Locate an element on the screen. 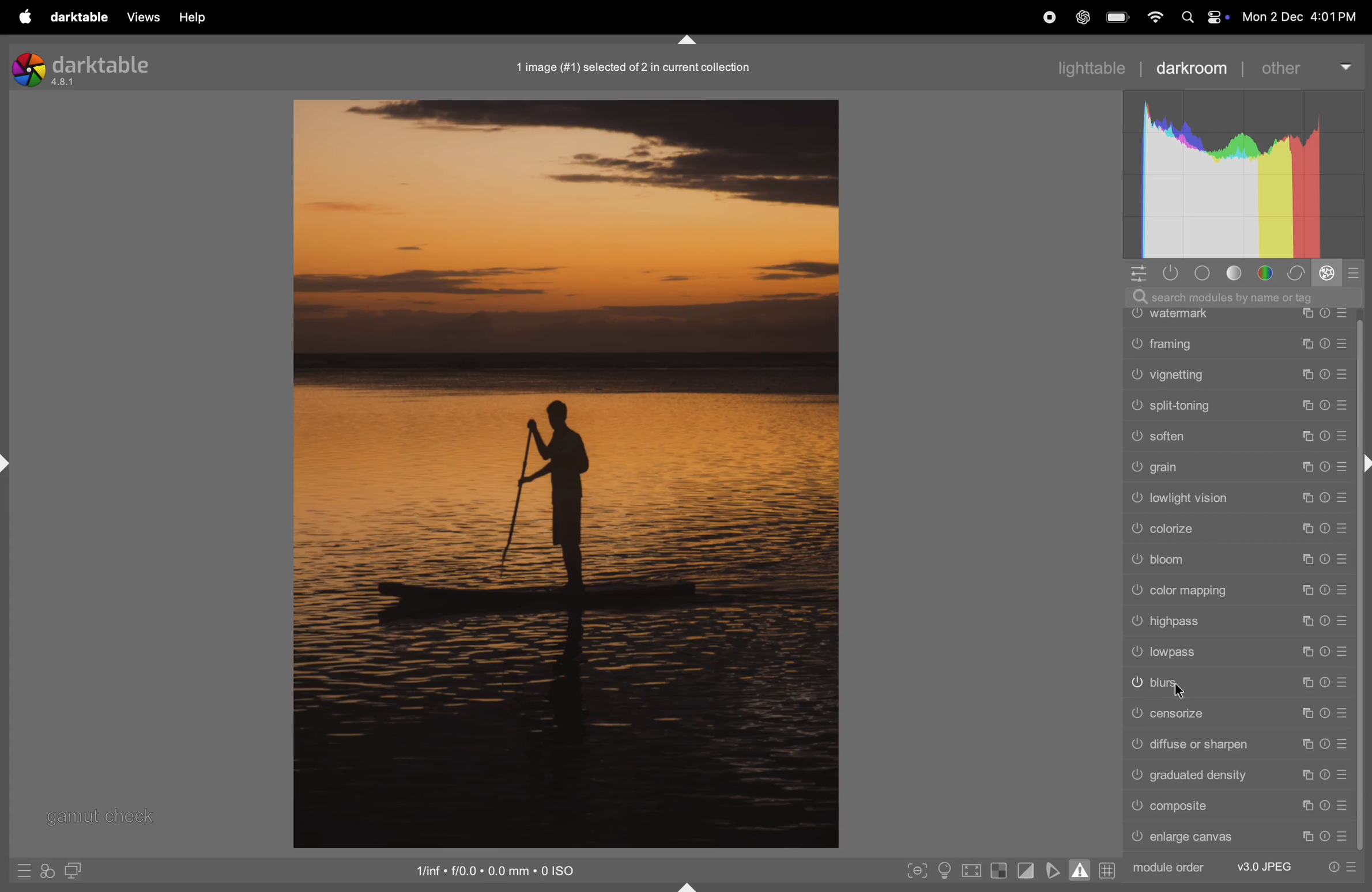 The image size is (1372, 892). wifi is located at coordinates (1155, 17).